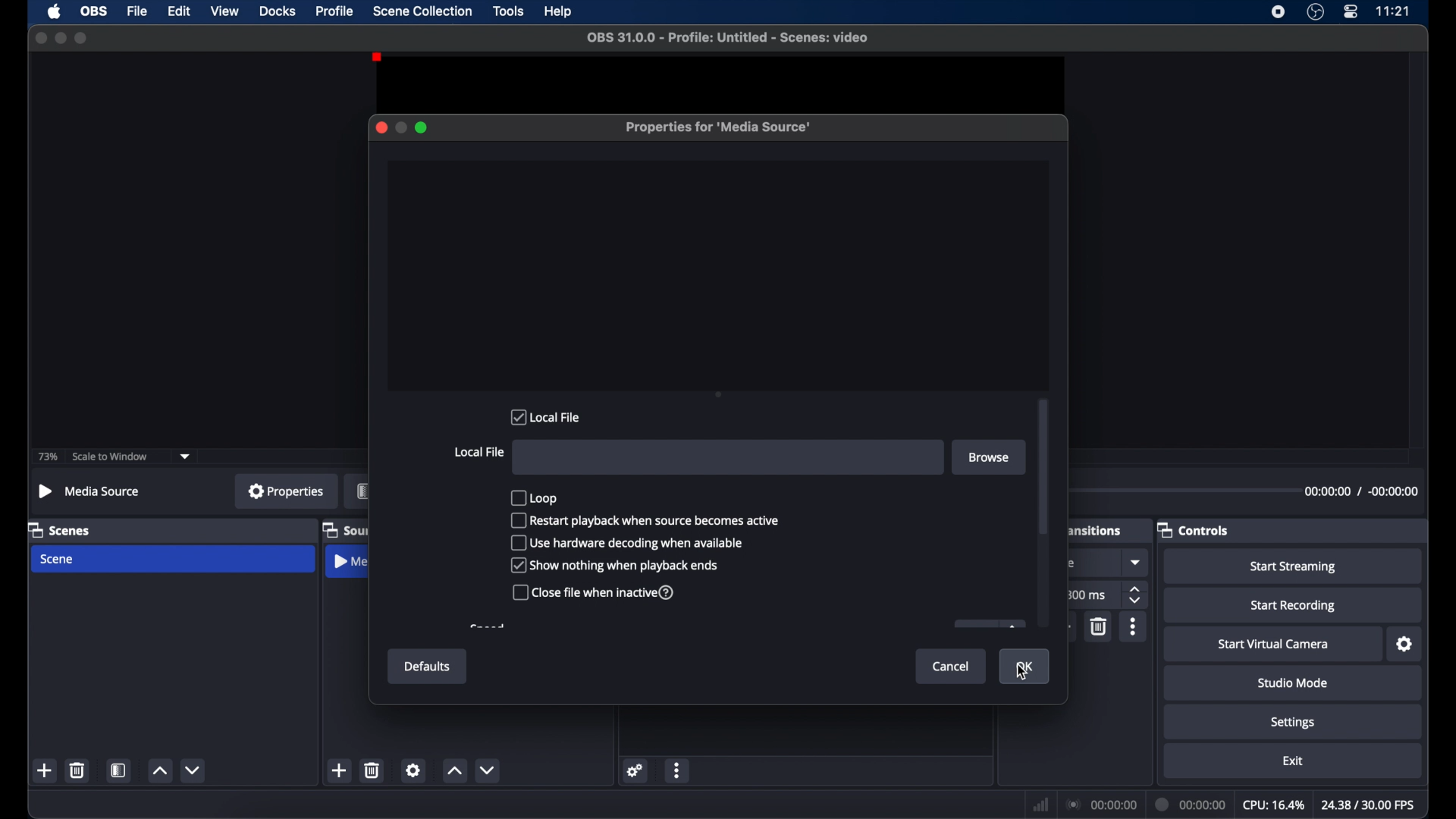 This screenshot has height=819, width=1456. What do you see at coordinates (1275, 645) in the screenshot?
I see `start virtual camera` at bounding box center [1275, 645].